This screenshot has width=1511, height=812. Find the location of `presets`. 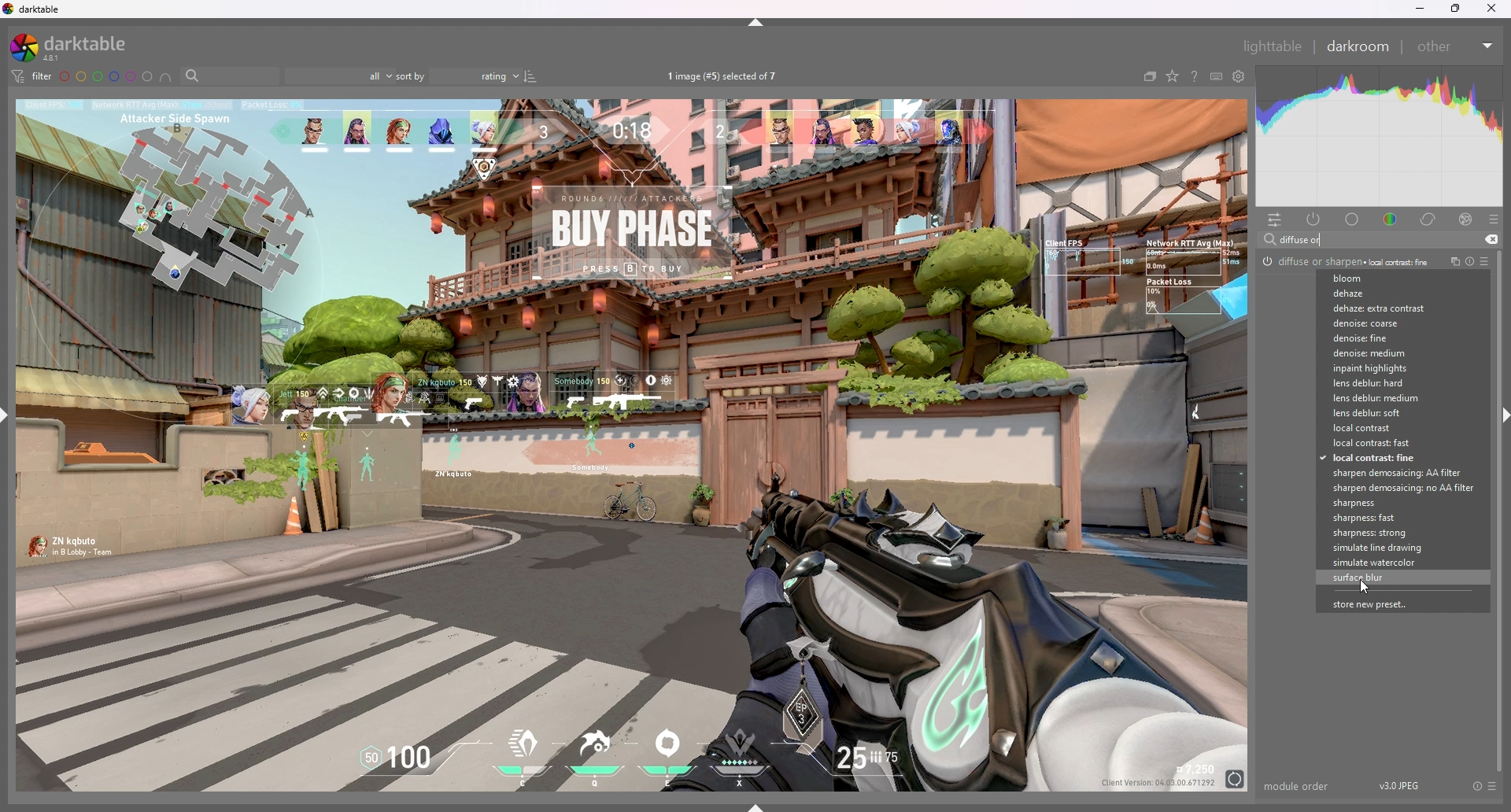

presets is located at coordinates (1483, 261).